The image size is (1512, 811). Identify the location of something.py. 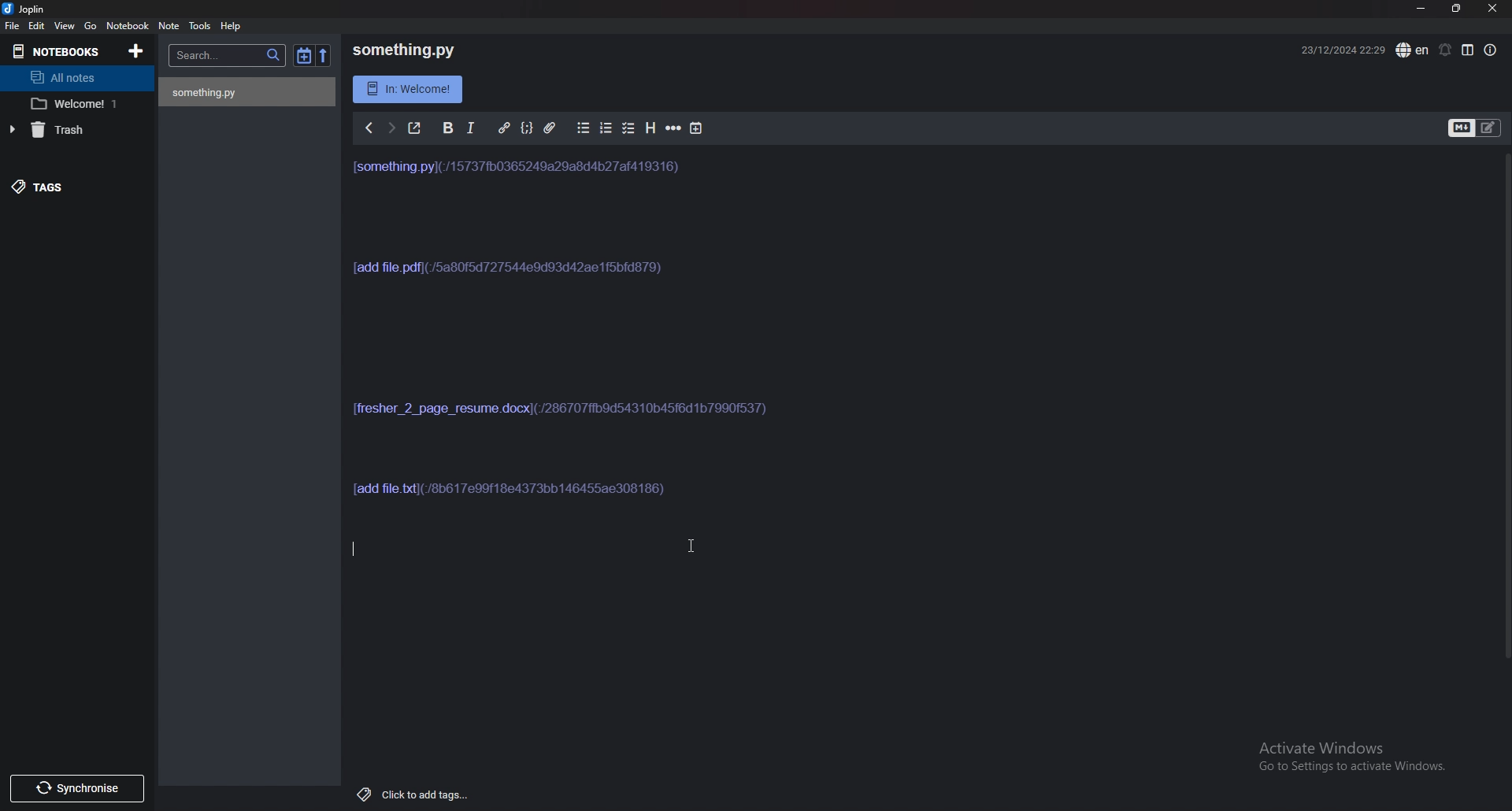
(406, 50).